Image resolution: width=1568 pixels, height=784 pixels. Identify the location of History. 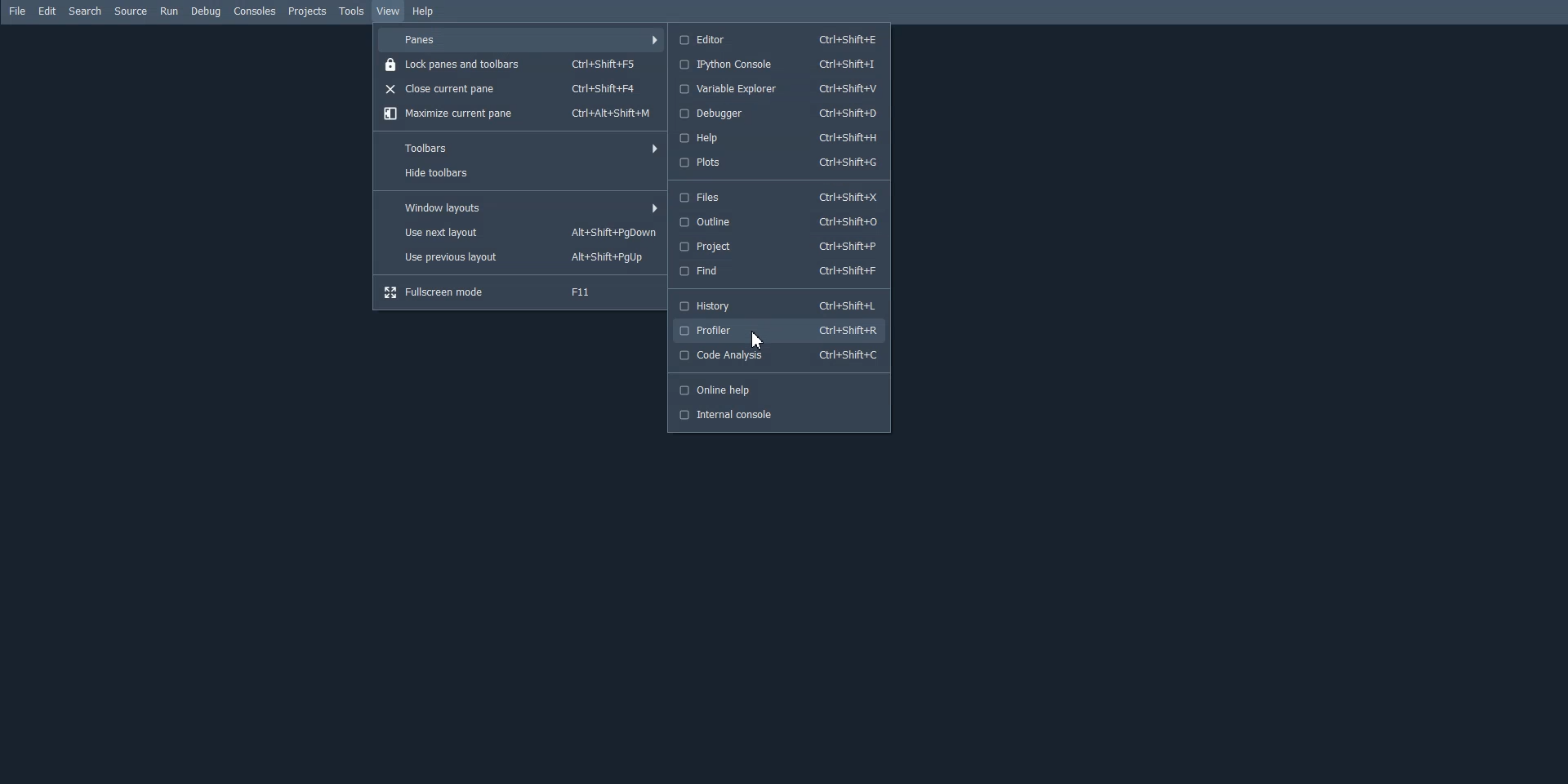
(776, 304).